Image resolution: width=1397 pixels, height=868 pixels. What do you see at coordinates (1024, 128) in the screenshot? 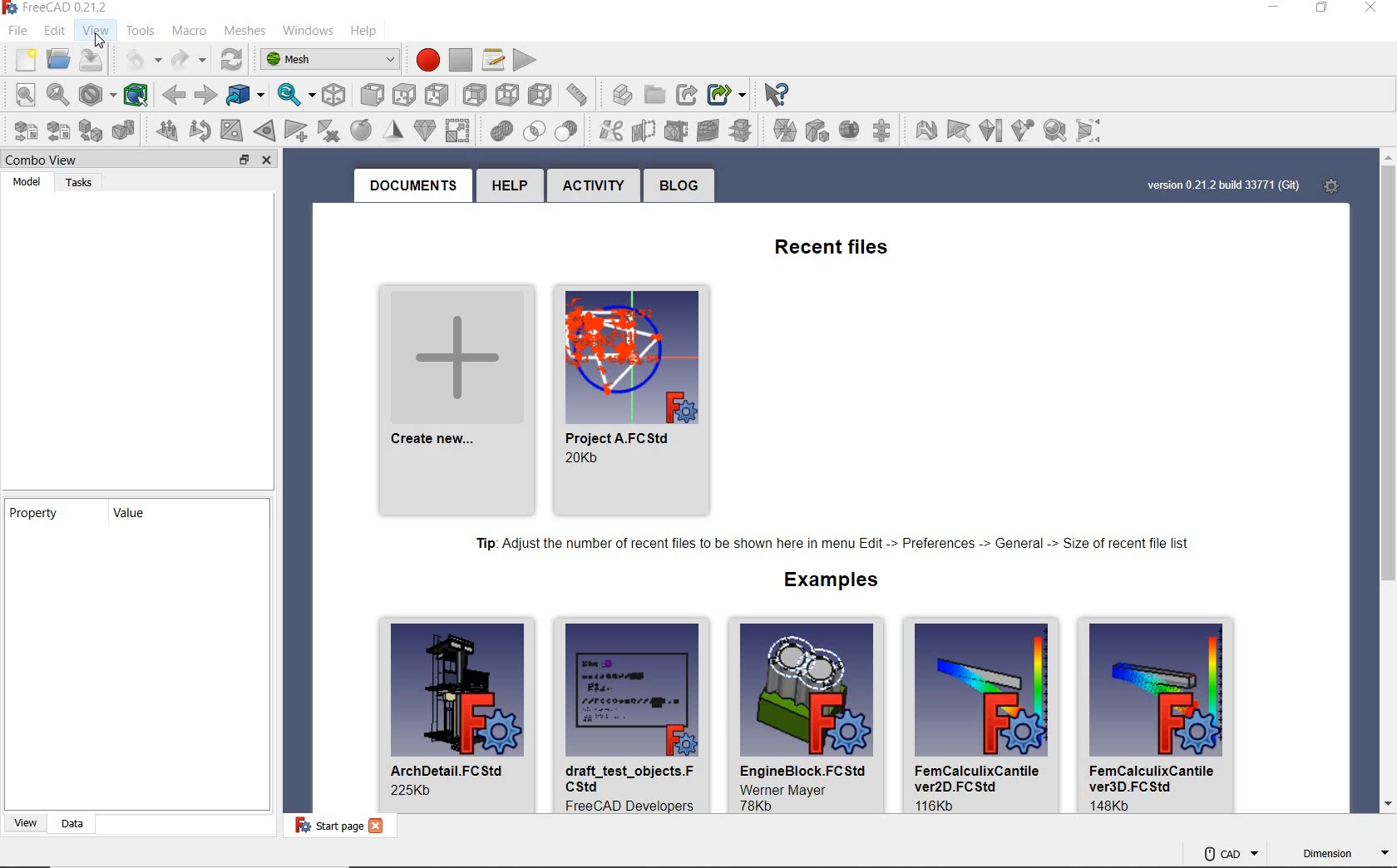
I see `curvature info` at bounding box center [1024, 128].